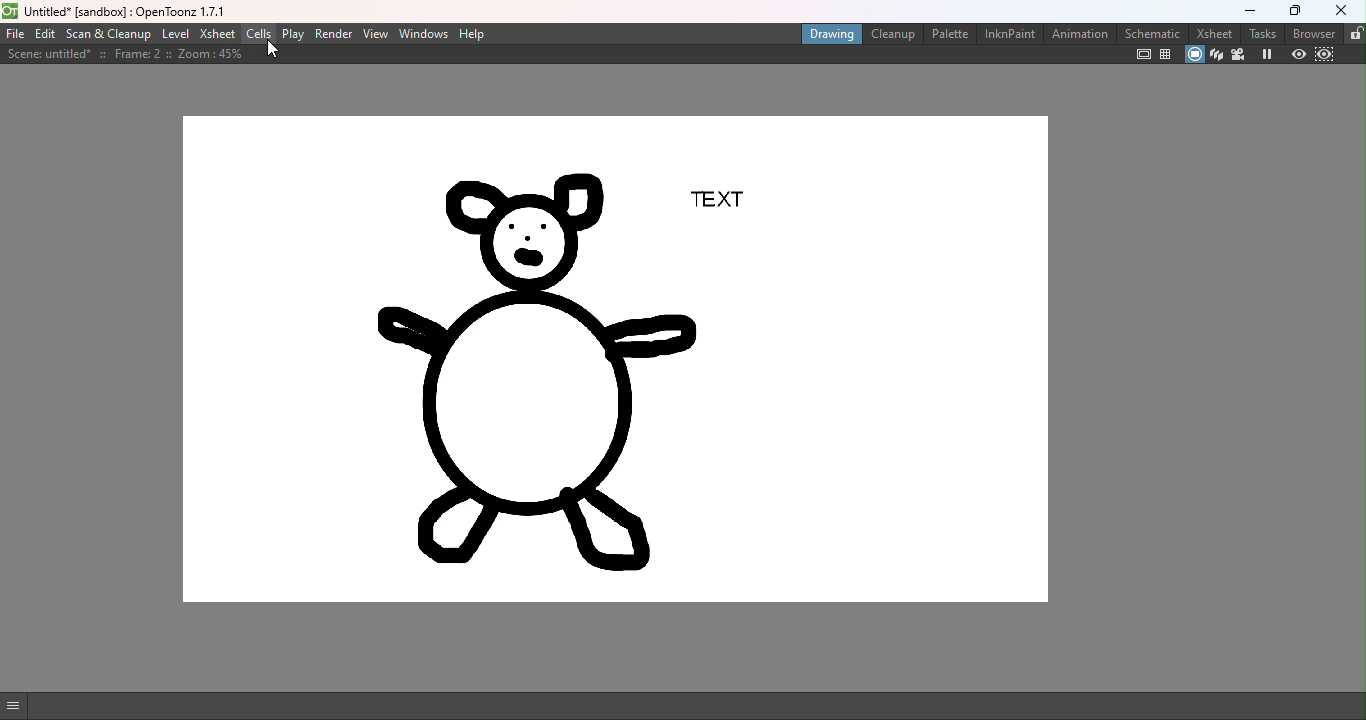 The width and height of the screenshot is (1366, 720). Describe the element at coordinates (1248, 12) in the screenshot. I see `minimize` at that location.